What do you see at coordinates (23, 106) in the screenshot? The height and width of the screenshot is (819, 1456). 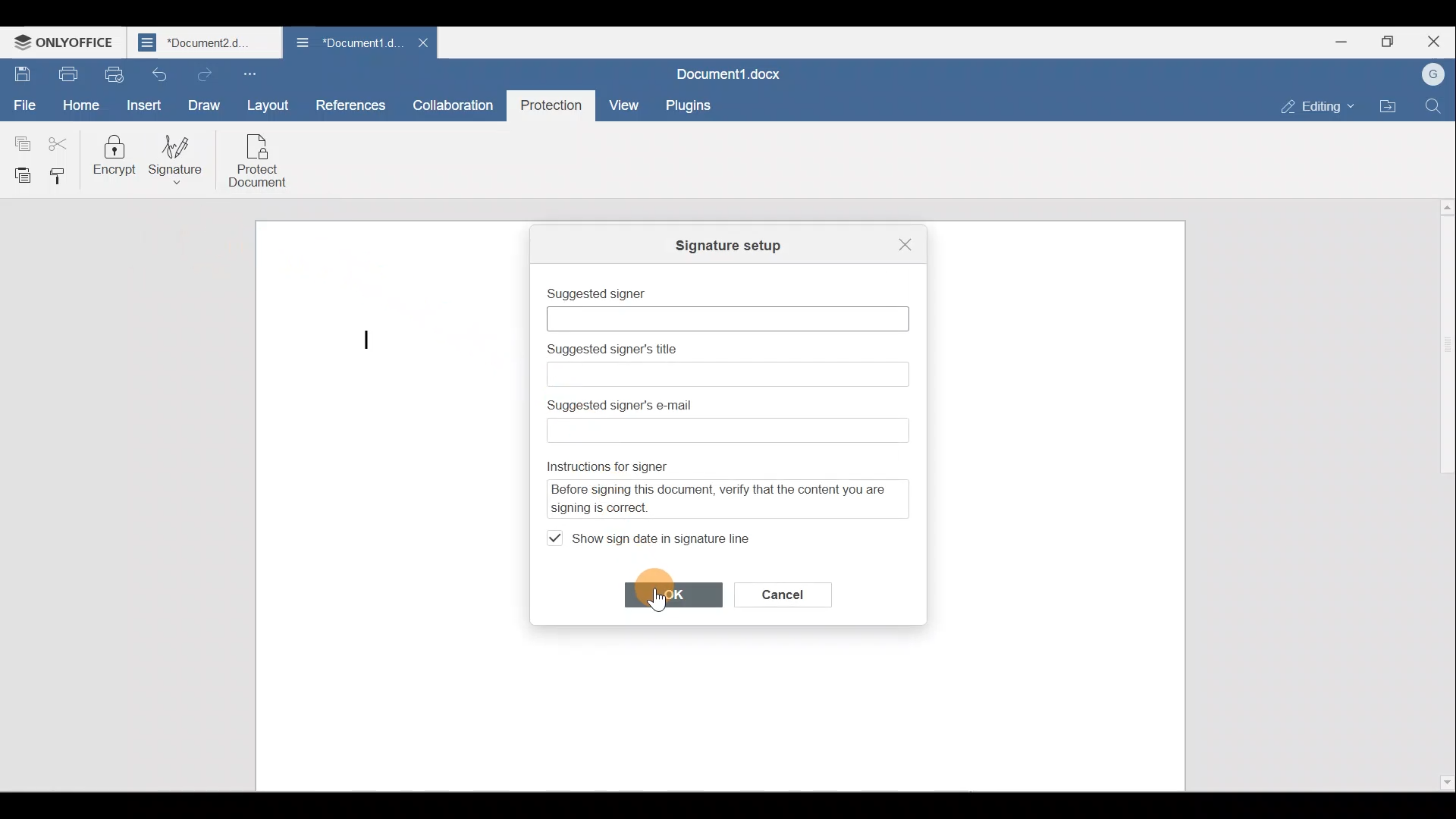 I see `File` at bounding box center [23, 106].